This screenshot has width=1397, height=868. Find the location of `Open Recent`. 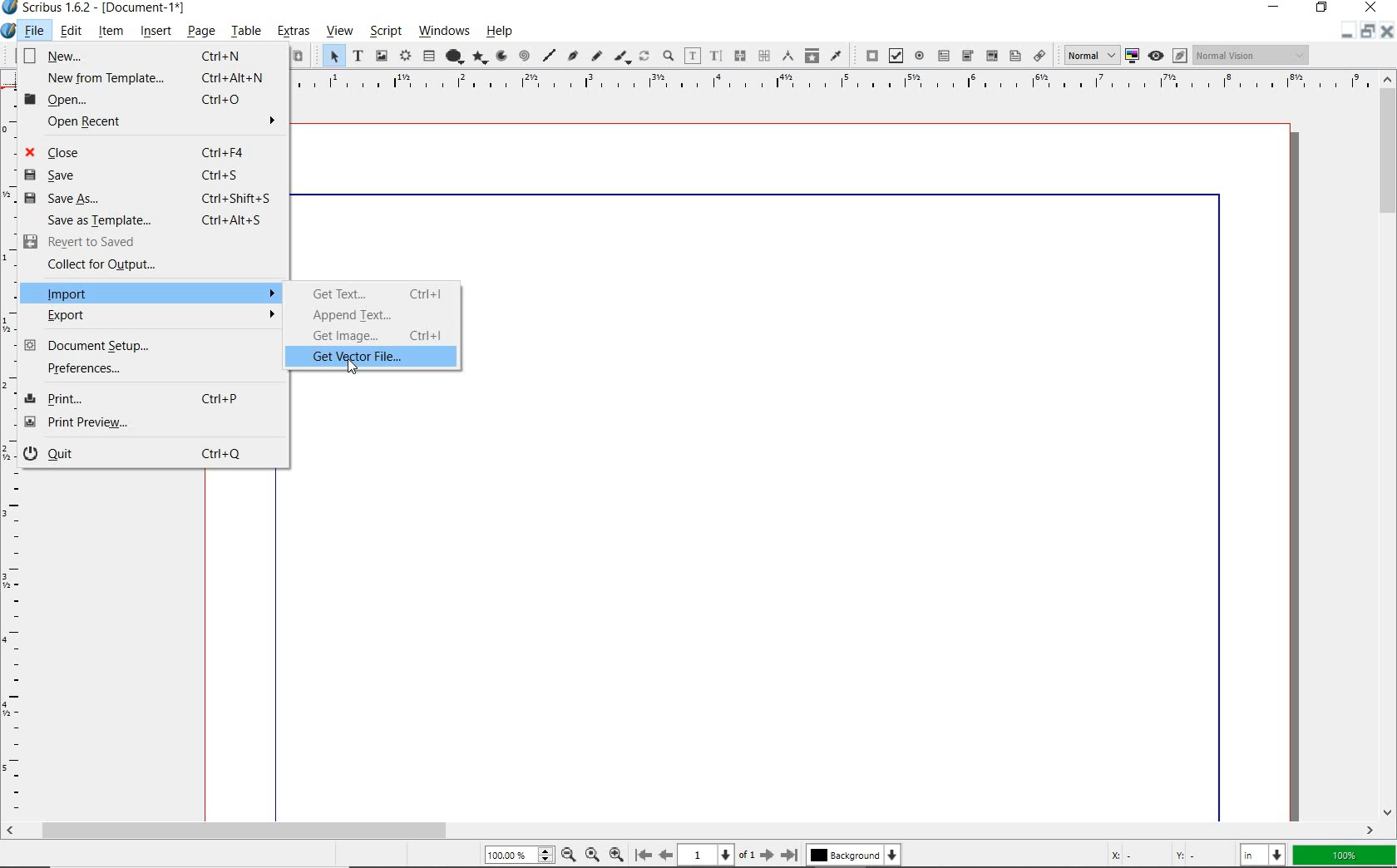

Open Recent is located at coordinates (153, 122).